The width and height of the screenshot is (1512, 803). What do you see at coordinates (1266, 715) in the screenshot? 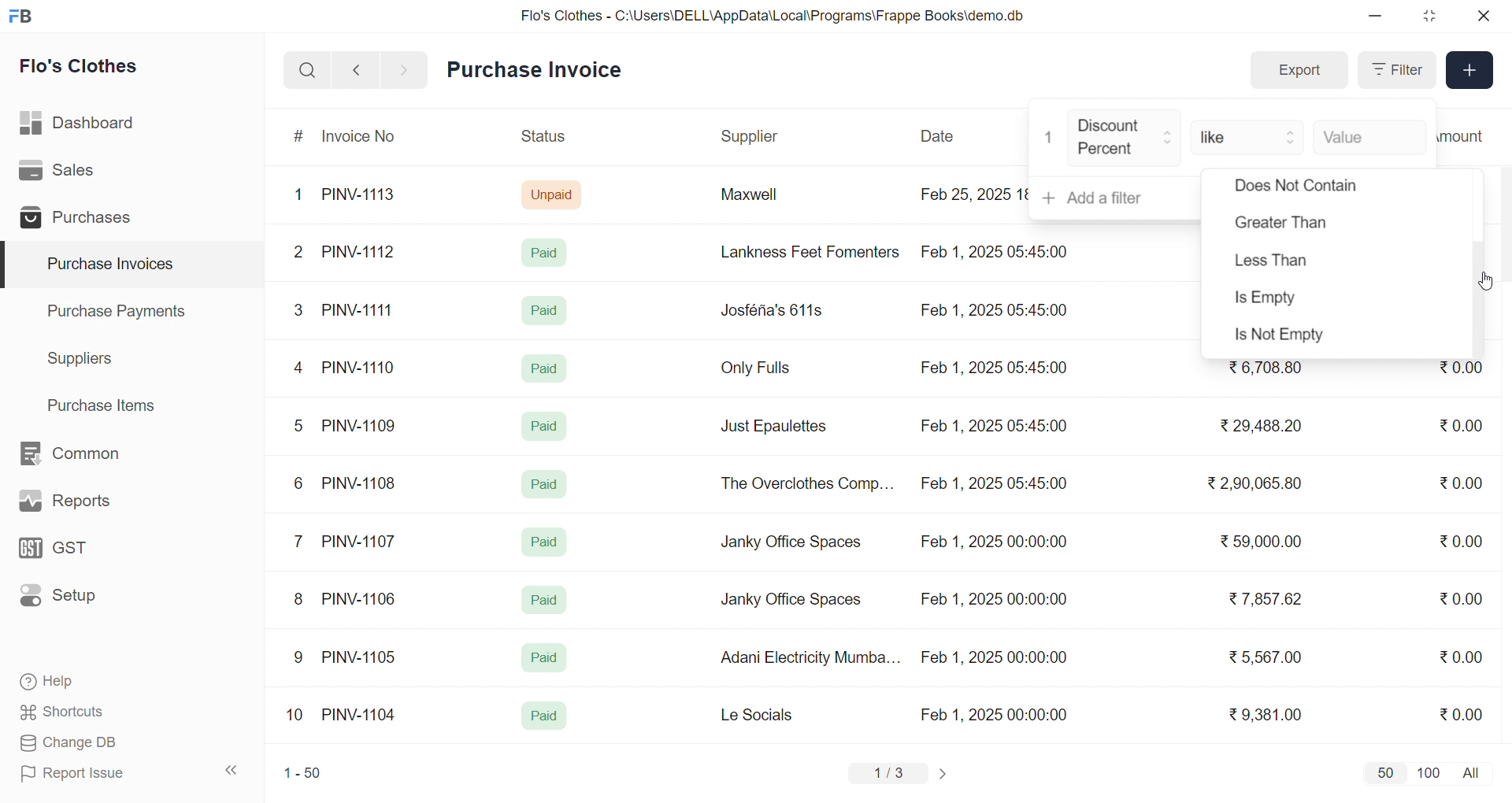
I see `₹9,381.00` at bounding box center [1266, 715].